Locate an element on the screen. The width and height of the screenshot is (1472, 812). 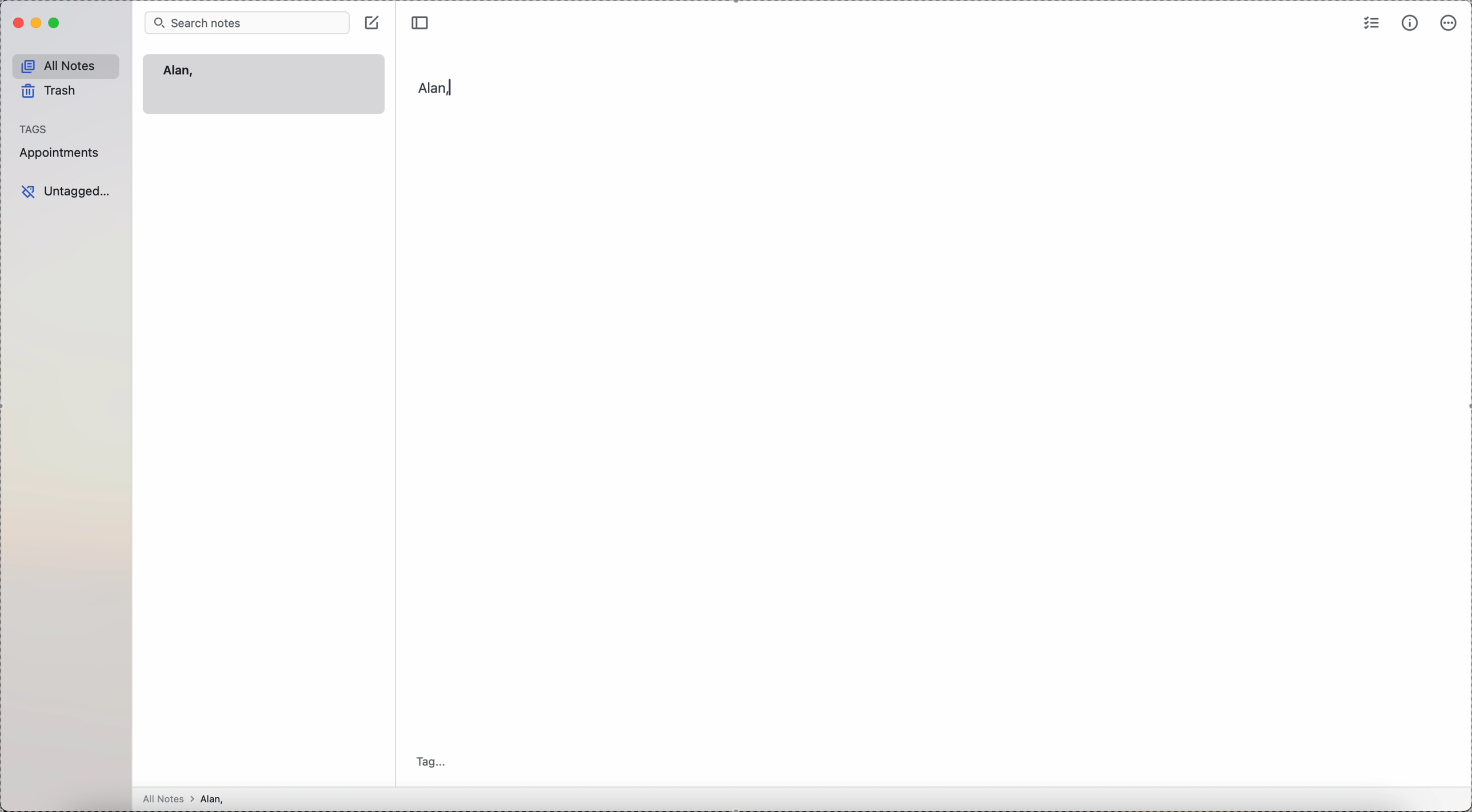
toggle sidebar is located at coordinates (422, 21).